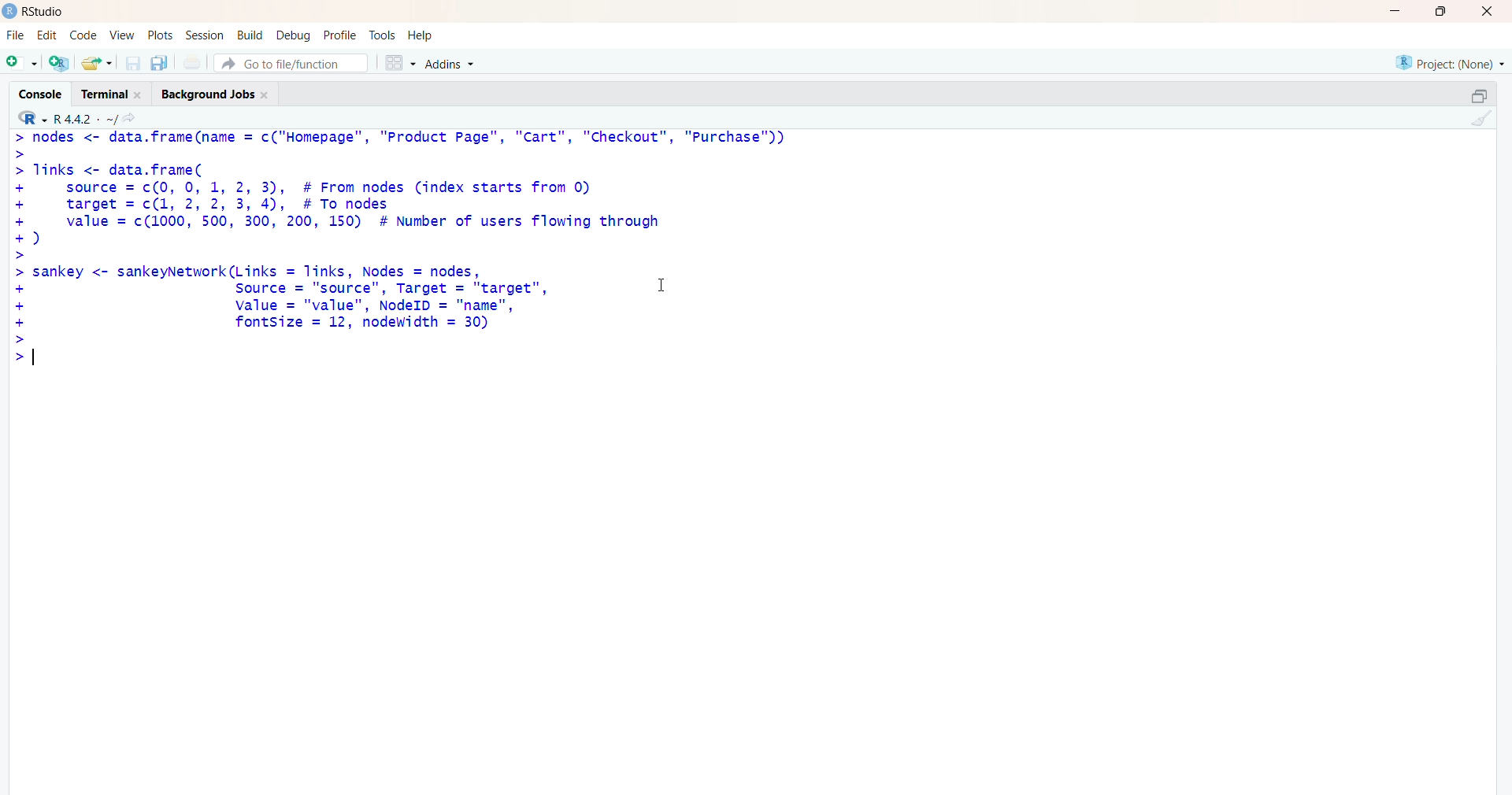 The height and width of the screenshot is (795, 1512). What do you see at coordinates (108, 94) in the screenshot?
I see `terminal` at bounding box center [108, 94].